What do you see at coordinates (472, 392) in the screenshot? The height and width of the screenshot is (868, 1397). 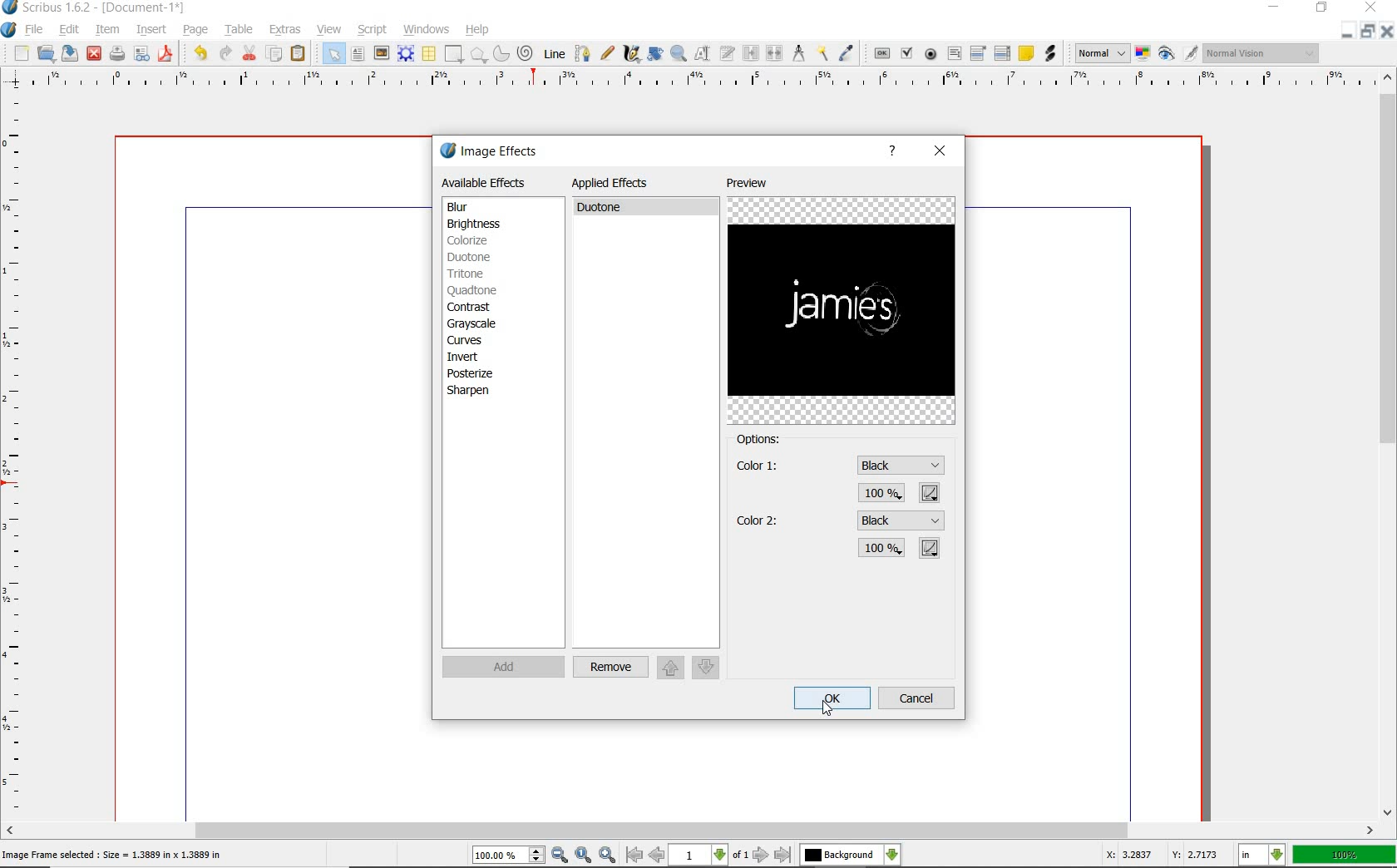 I see `sharpen` at bounding box center [472, 392].